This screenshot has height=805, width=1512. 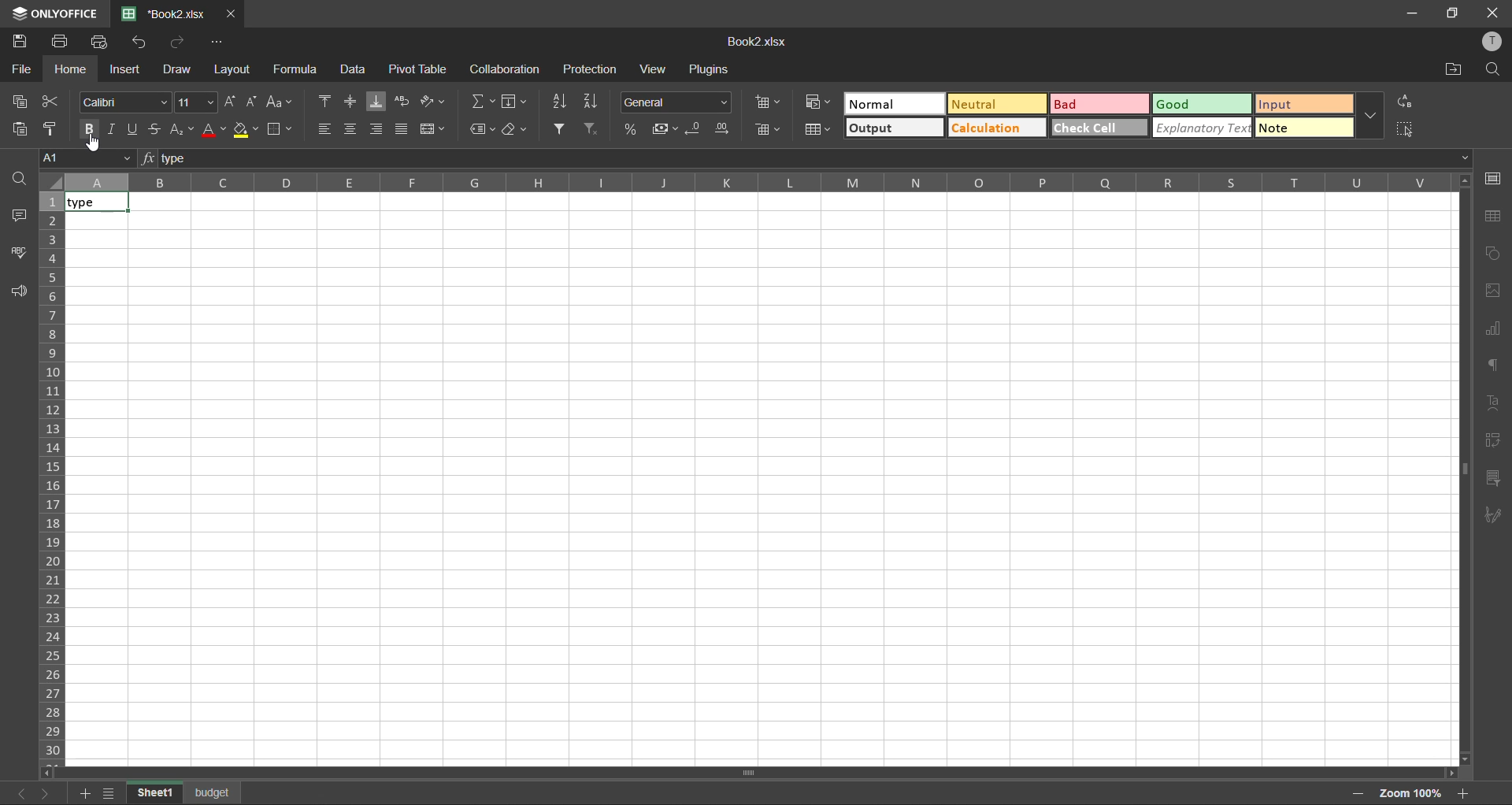 What do you see at coordinates (715, 70) in the screenshot?
I see `plugins` at bounding box center [715, 70].